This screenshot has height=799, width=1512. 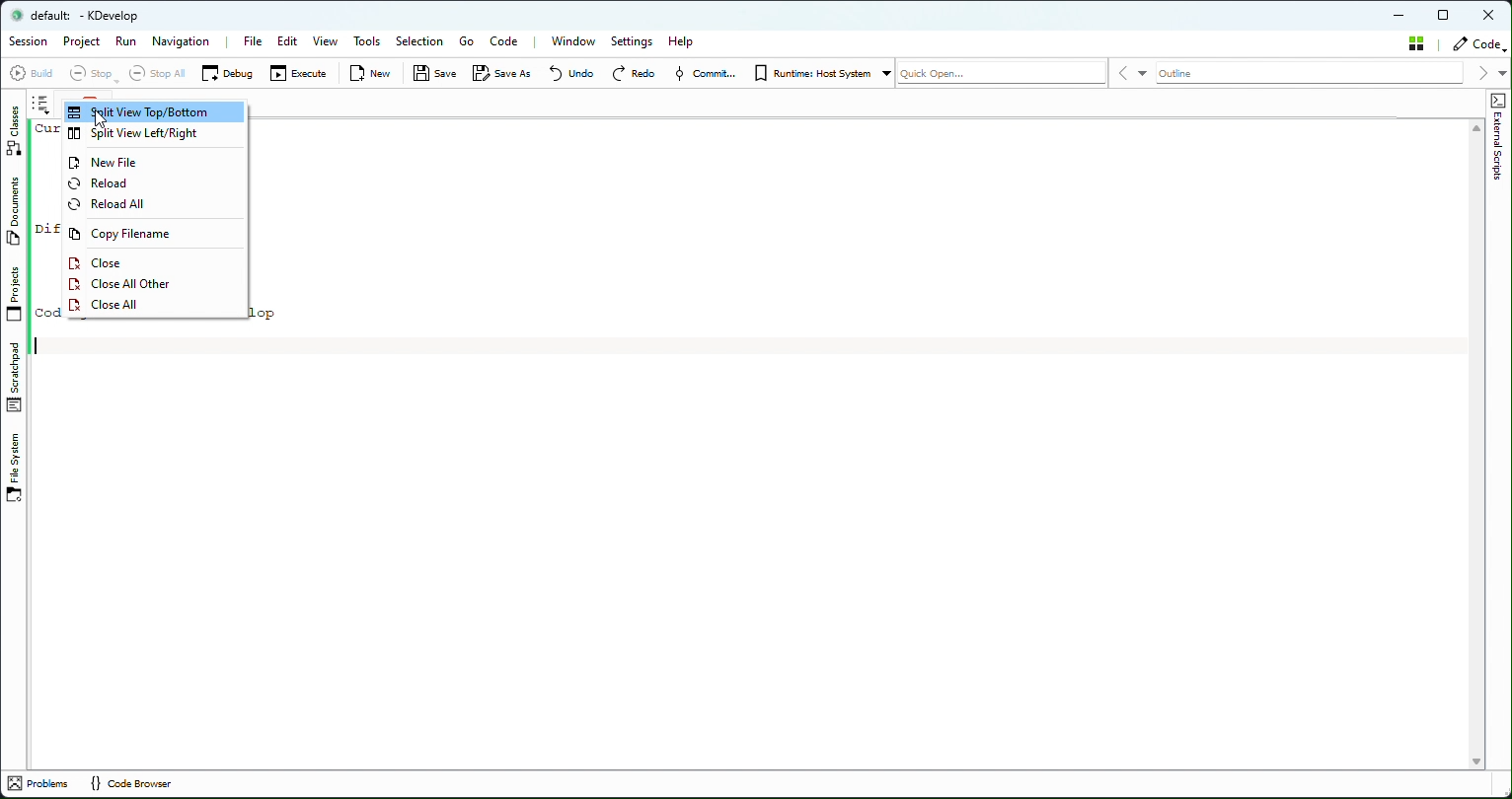 What do you see at coordinates (153, 134) in the screenshot?
I see `Split View Left/right` at bounding box center [153, 134].